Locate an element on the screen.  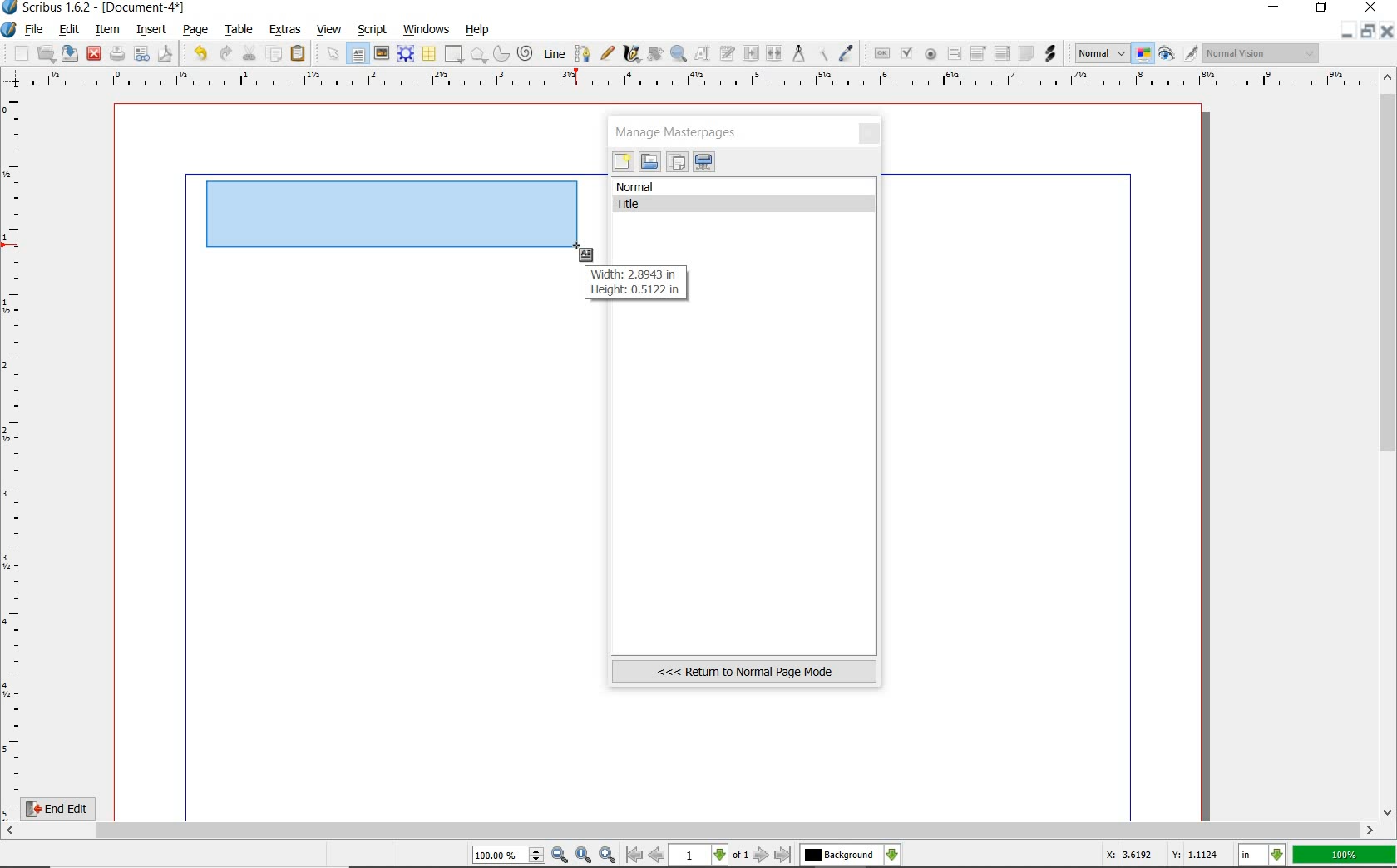
file is located at coordinates (35, 30).